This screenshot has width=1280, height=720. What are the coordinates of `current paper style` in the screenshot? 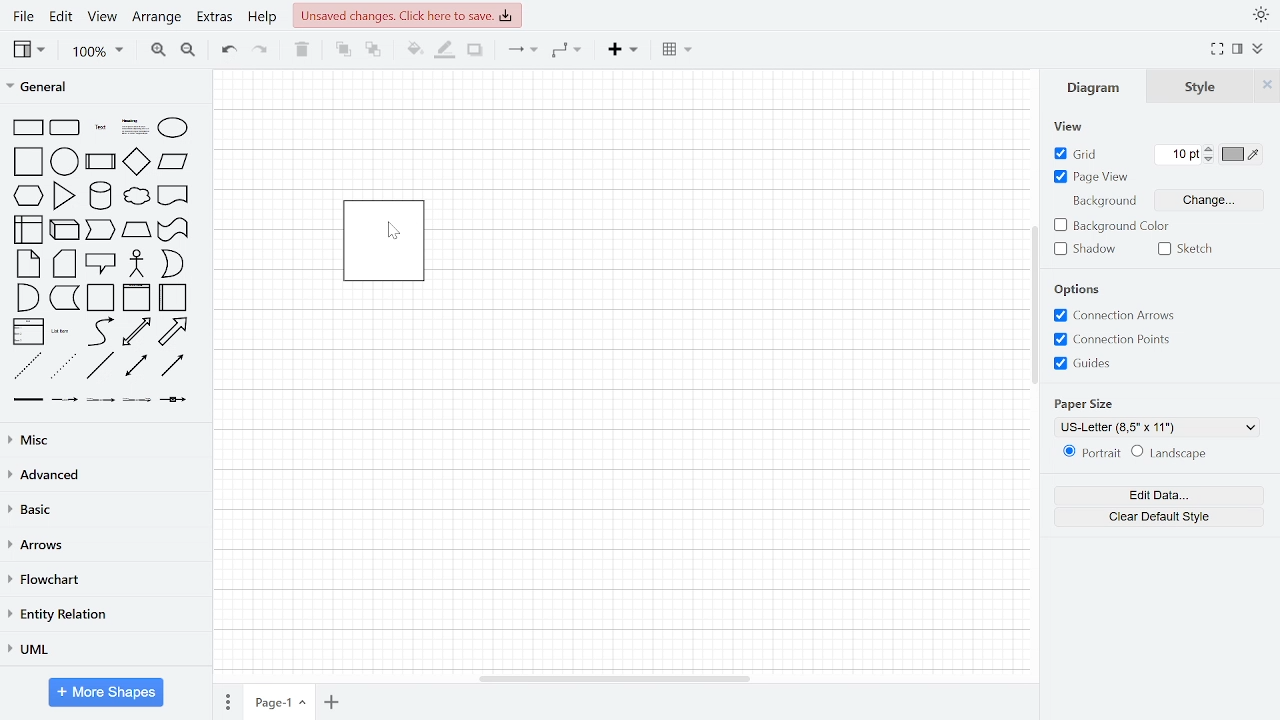 It's located at (1160, 427).